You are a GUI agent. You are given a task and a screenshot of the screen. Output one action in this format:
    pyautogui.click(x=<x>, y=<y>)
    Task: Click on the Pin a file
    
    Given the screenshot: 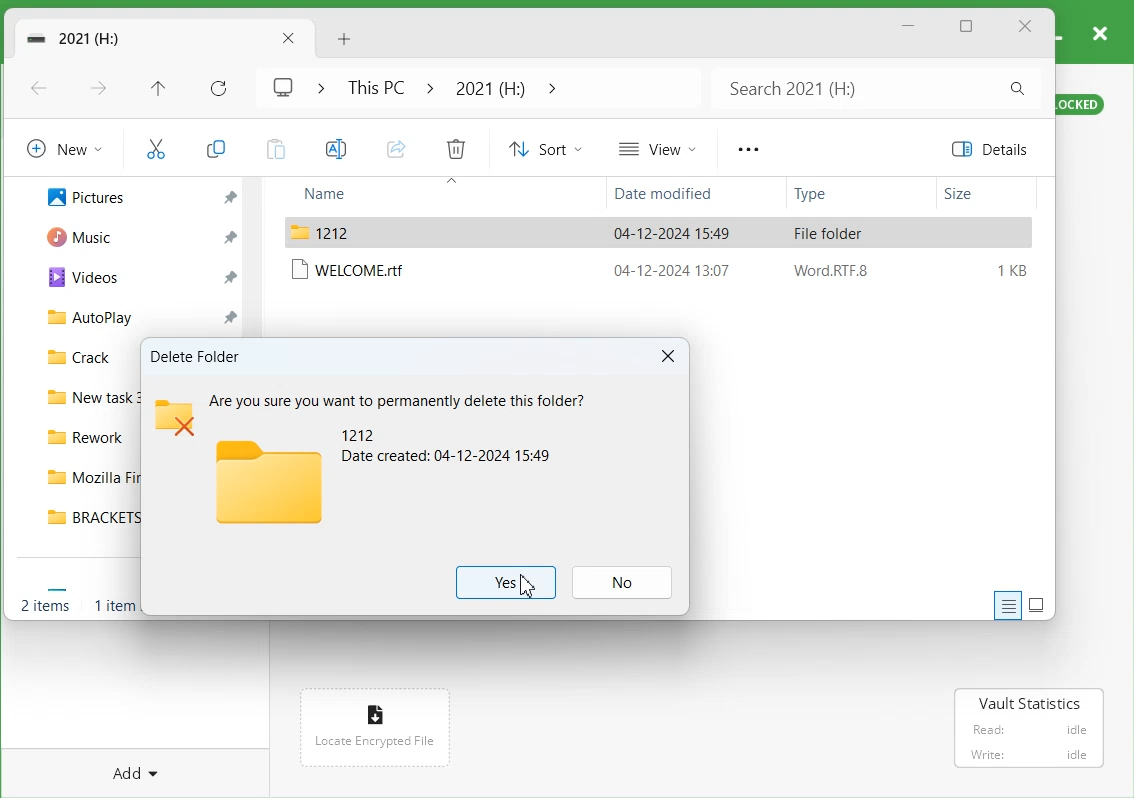 What is the action you would take?
    pyautogui.click(x=228, y=239)
    